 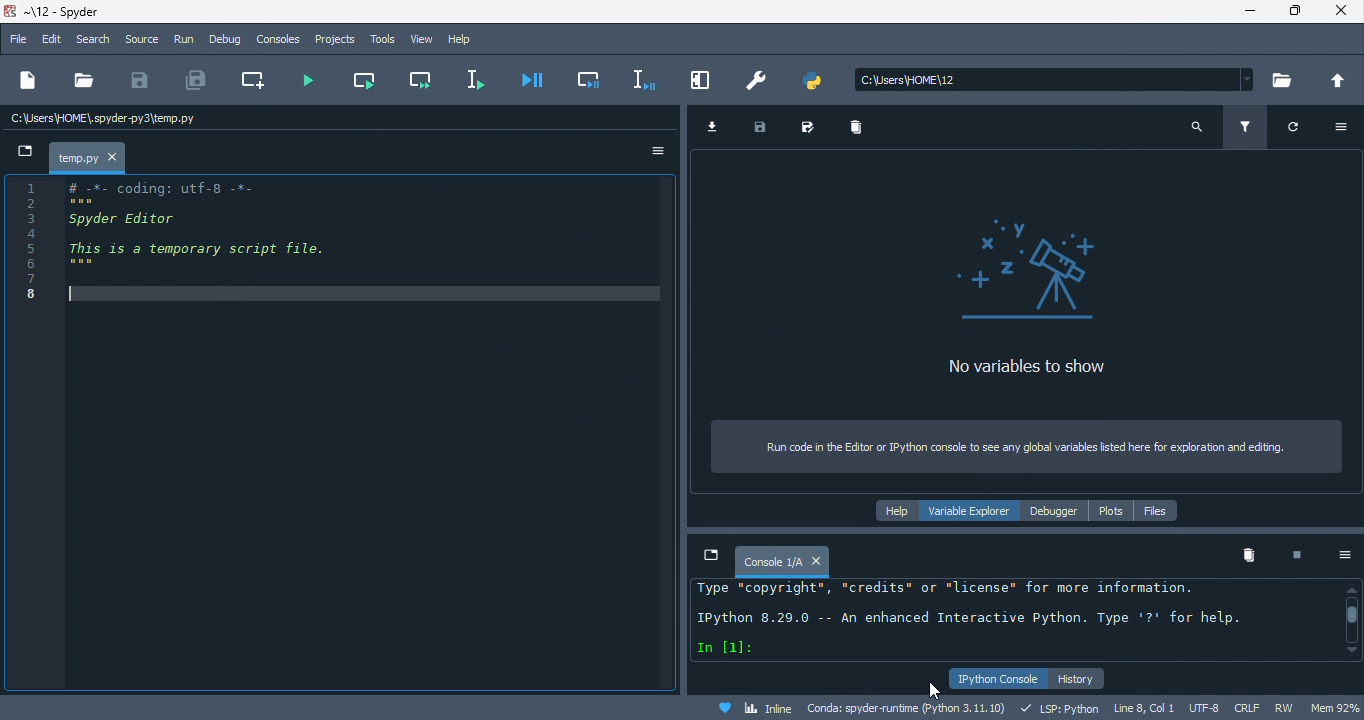 What do you see at coordinates (54, 40) in the screenshot?
I see `edit` at bounding box center [54, 40].